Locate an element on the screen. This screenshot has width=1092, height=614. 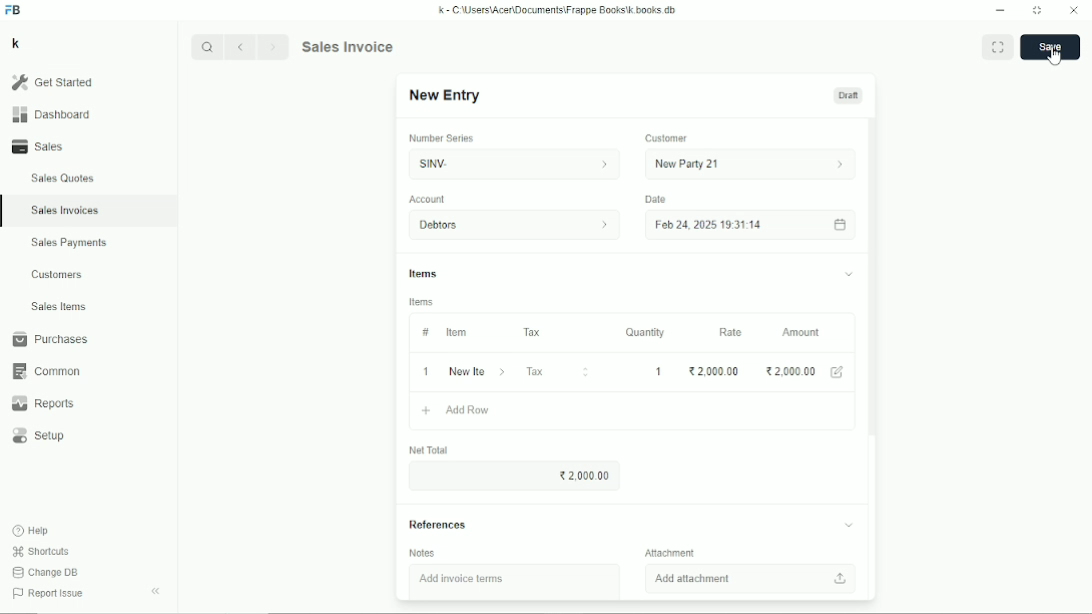
Number series is located at coordinates (442, 138).